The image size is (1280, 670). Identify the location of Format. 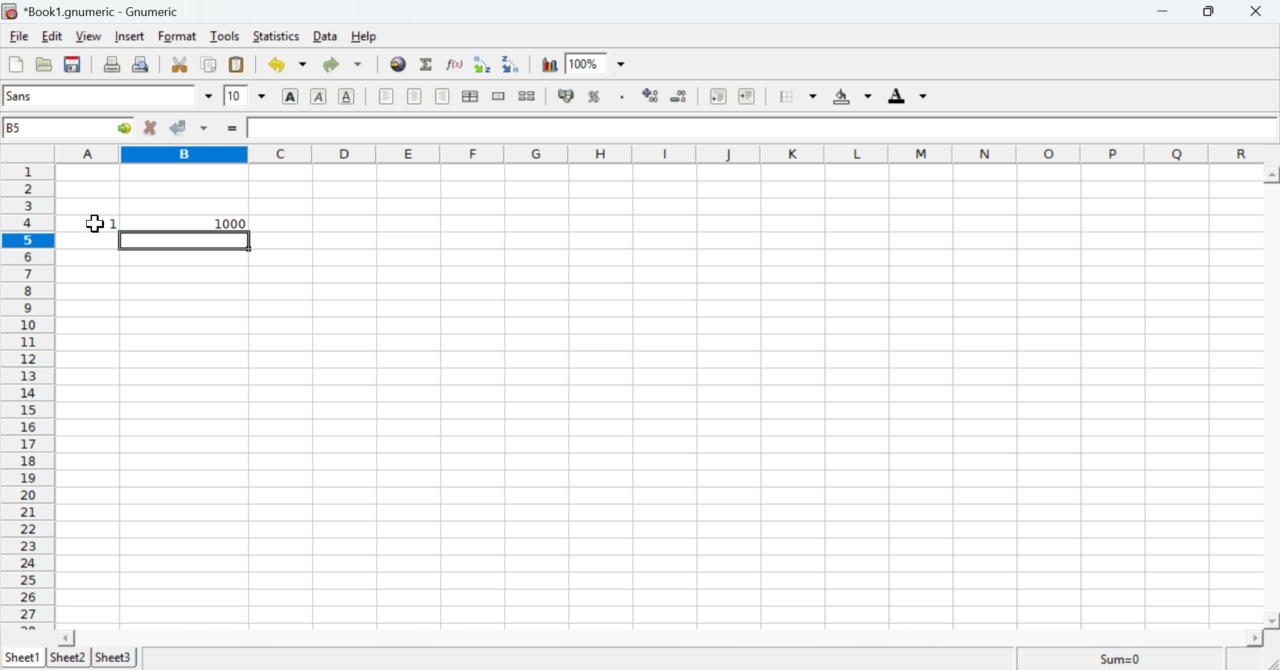
(178, 37).